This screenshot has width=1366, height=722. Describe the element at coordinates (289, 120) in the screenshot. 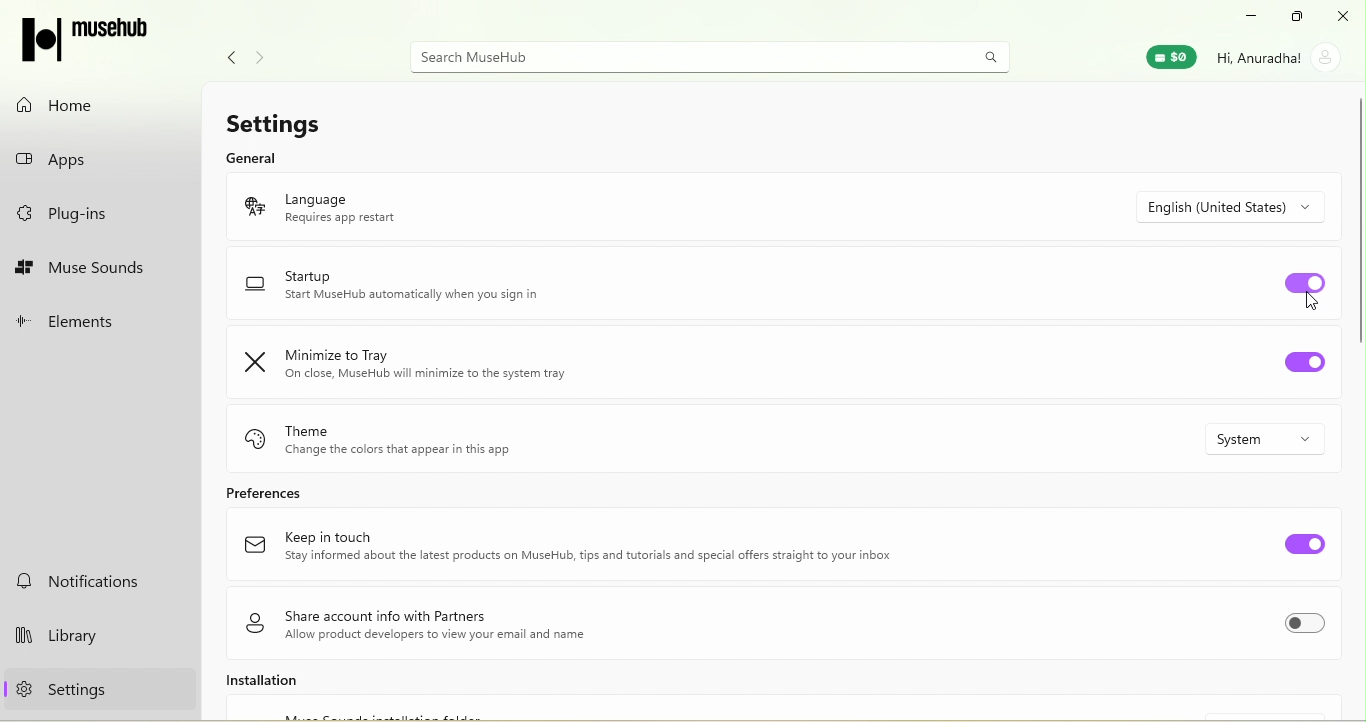

I see `Settings` at that location.